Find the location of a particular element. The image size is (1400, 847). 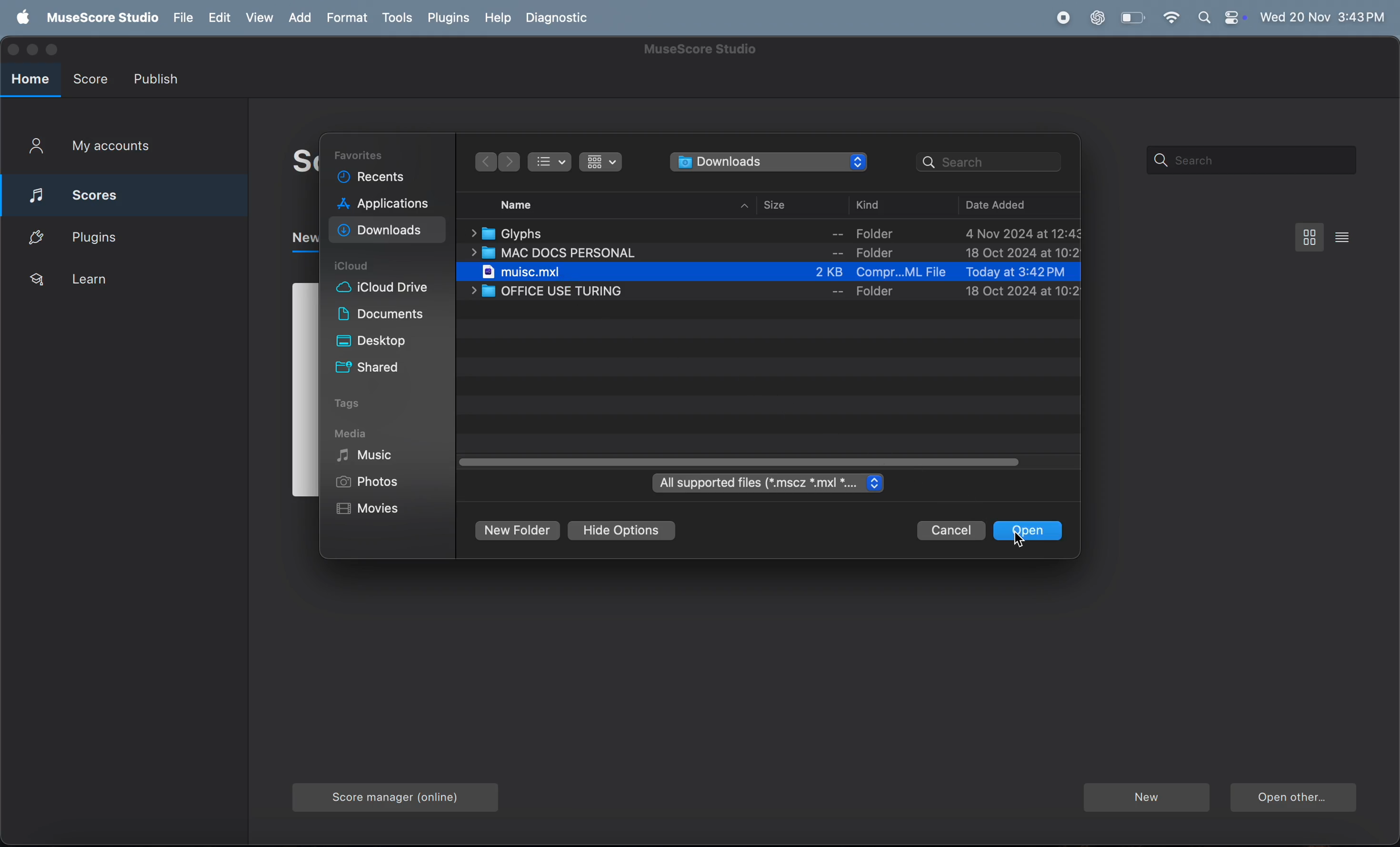

shared is located at coordinates (381, 369).